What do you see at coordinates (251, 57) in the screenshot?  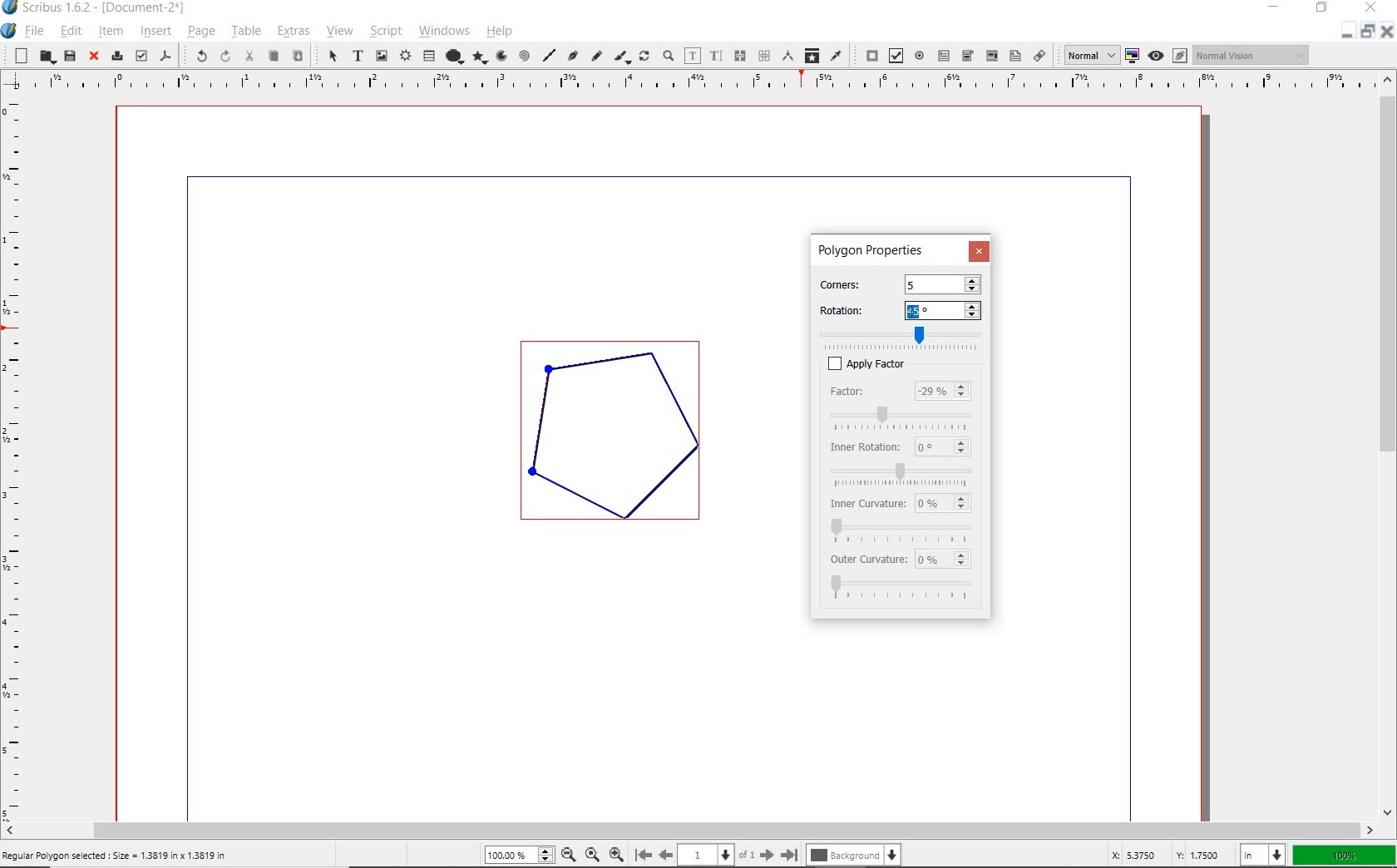 I see `cut` at bounding box center [251, 57].